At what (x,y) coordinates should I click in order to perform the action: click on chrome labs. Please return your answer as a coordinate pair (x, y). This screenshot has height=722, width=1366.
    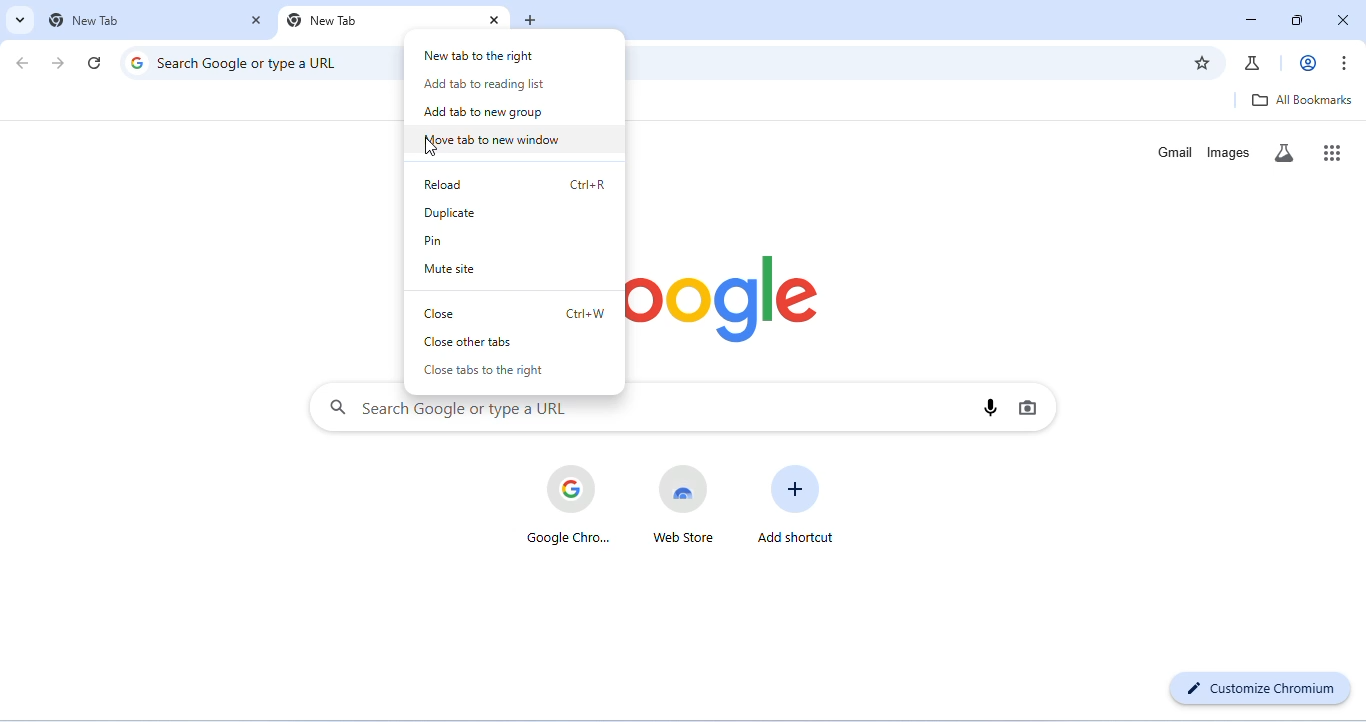
    Looking at the image, I should click on (1253, 63).